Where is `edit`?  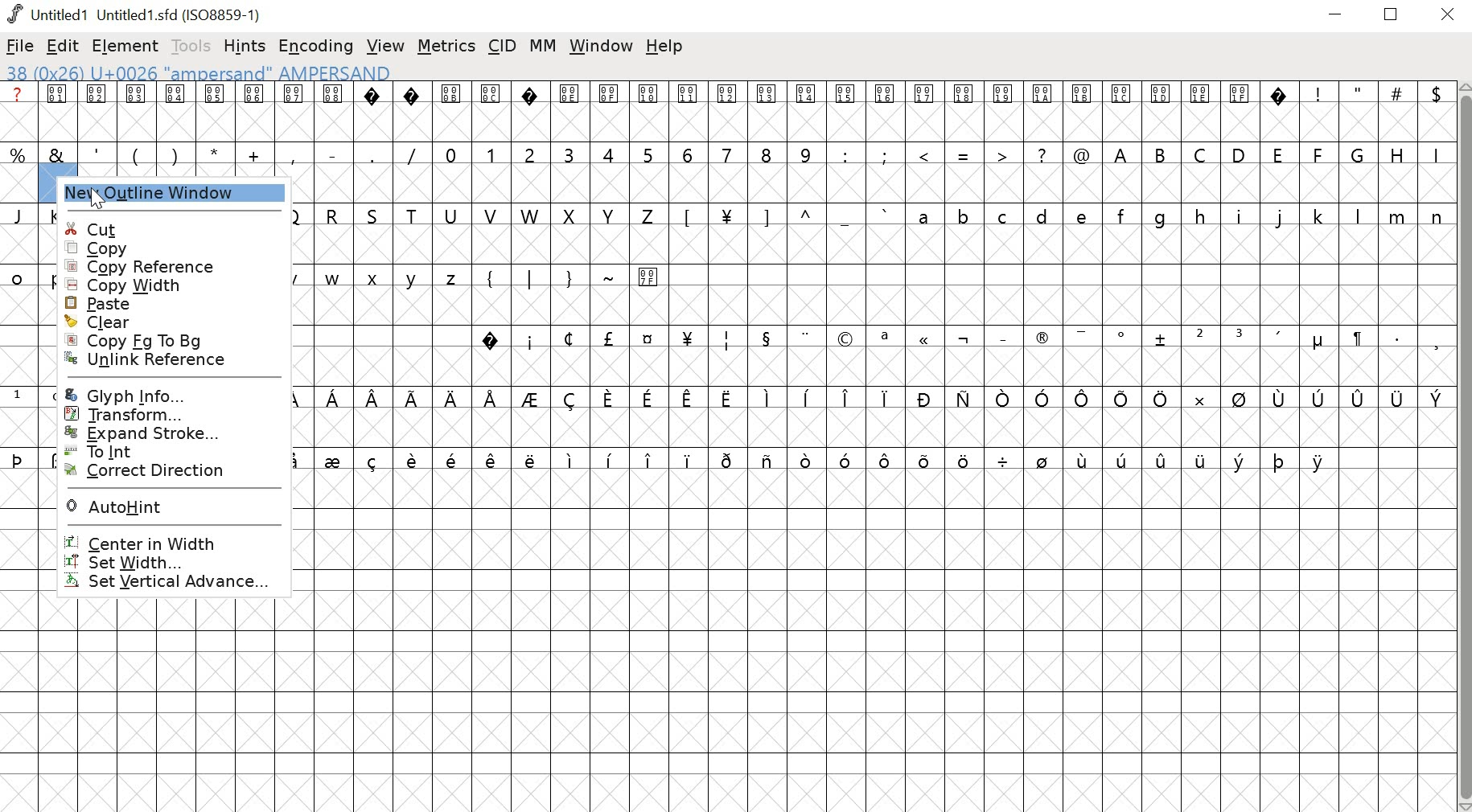 edit is located at coordinates (64, 47).